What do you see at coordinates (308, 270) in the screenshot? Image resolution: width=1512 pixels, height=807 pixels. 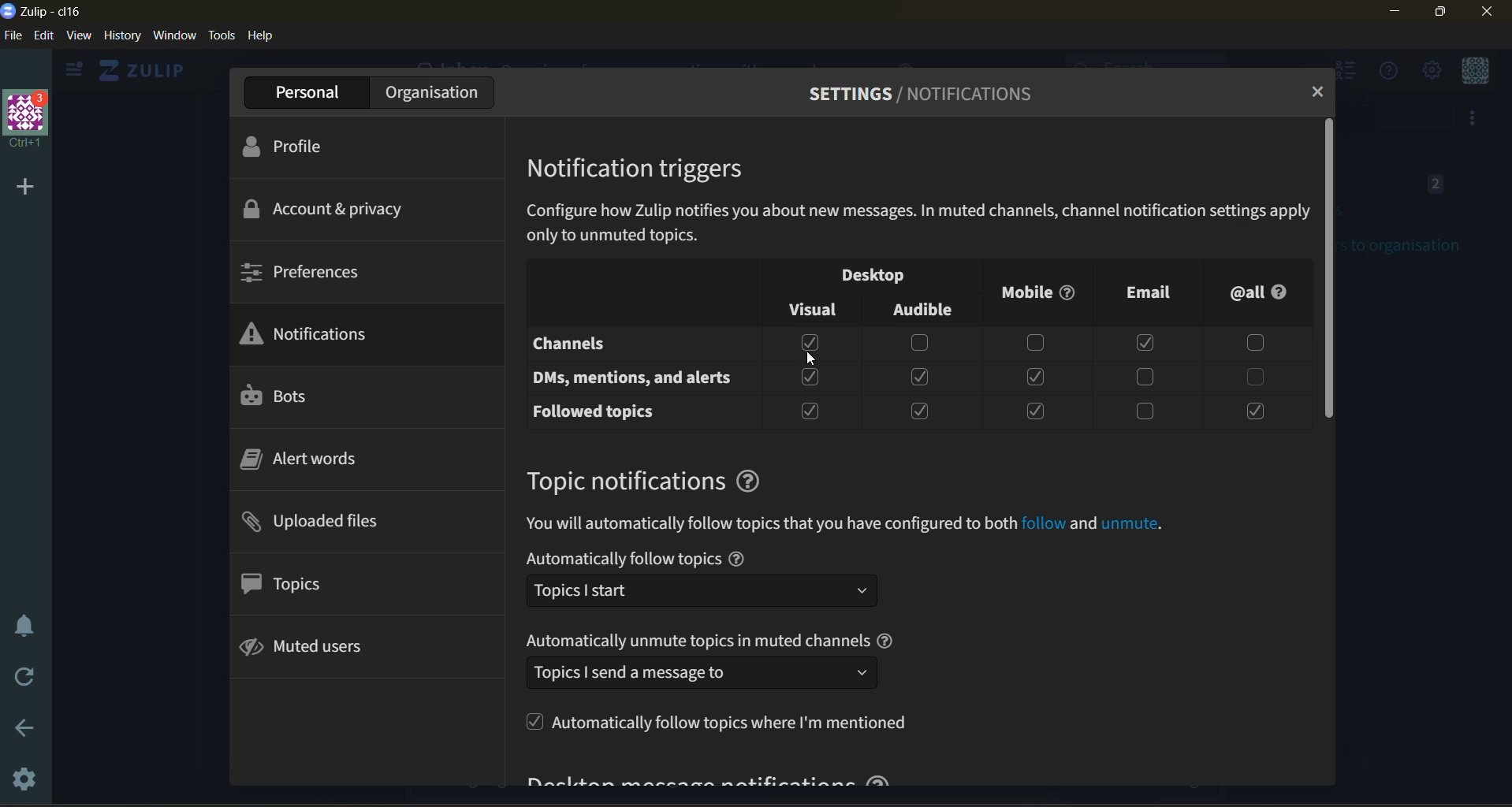 I see `preferences` at bounding box center [308, 270].